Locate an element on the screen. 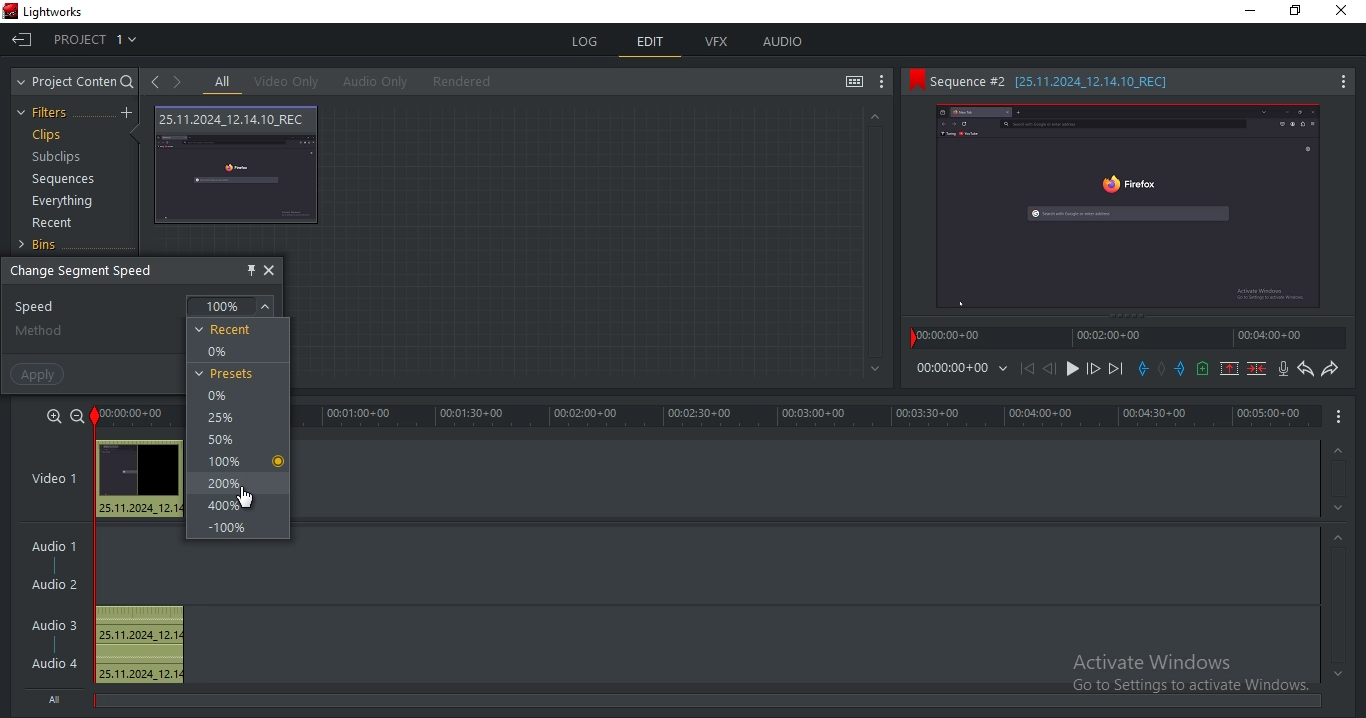 This screenshot has height=718, width=1366.  is located at coordinates (178, 82).